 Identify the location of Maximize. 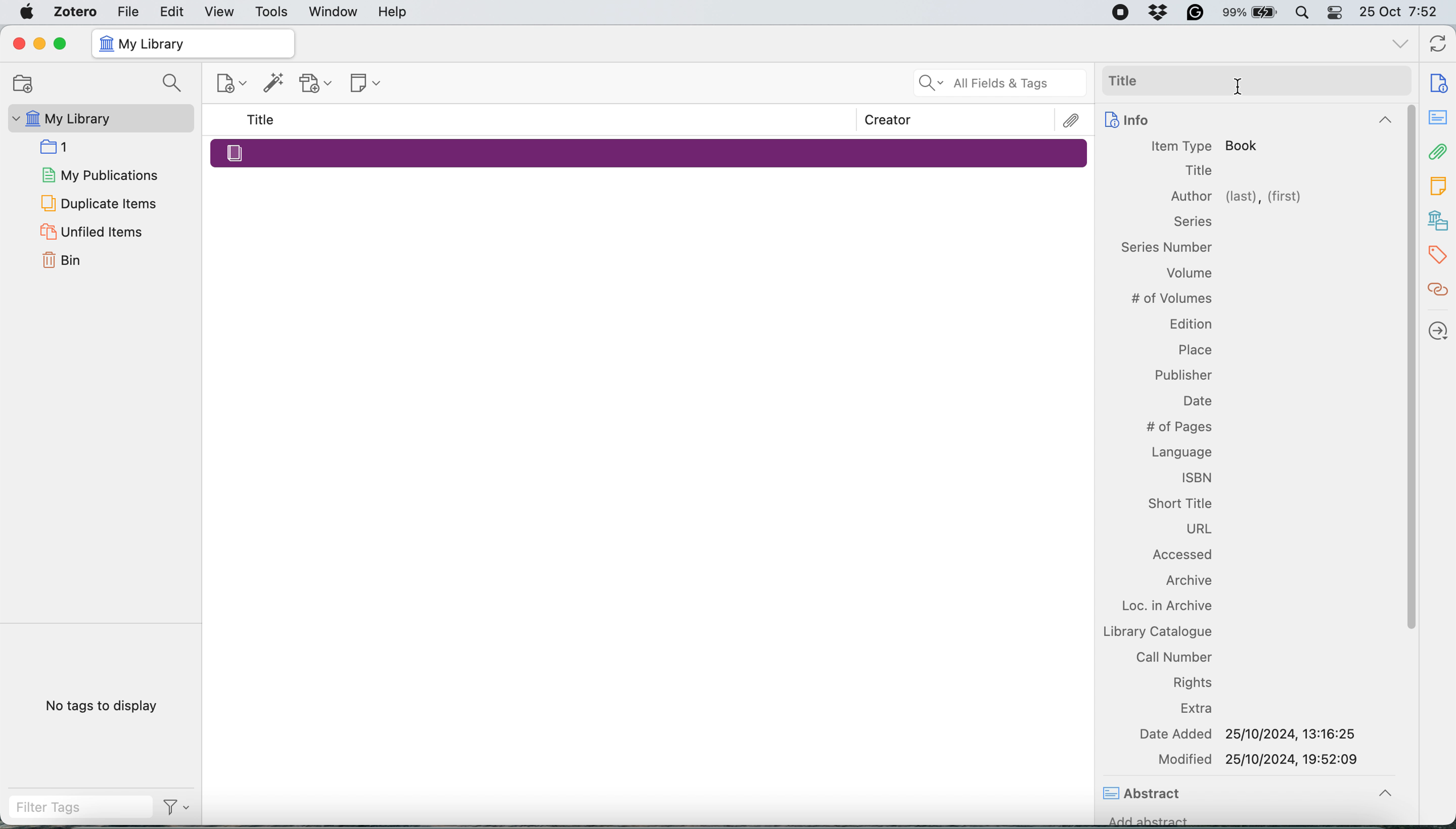
(60, 44).